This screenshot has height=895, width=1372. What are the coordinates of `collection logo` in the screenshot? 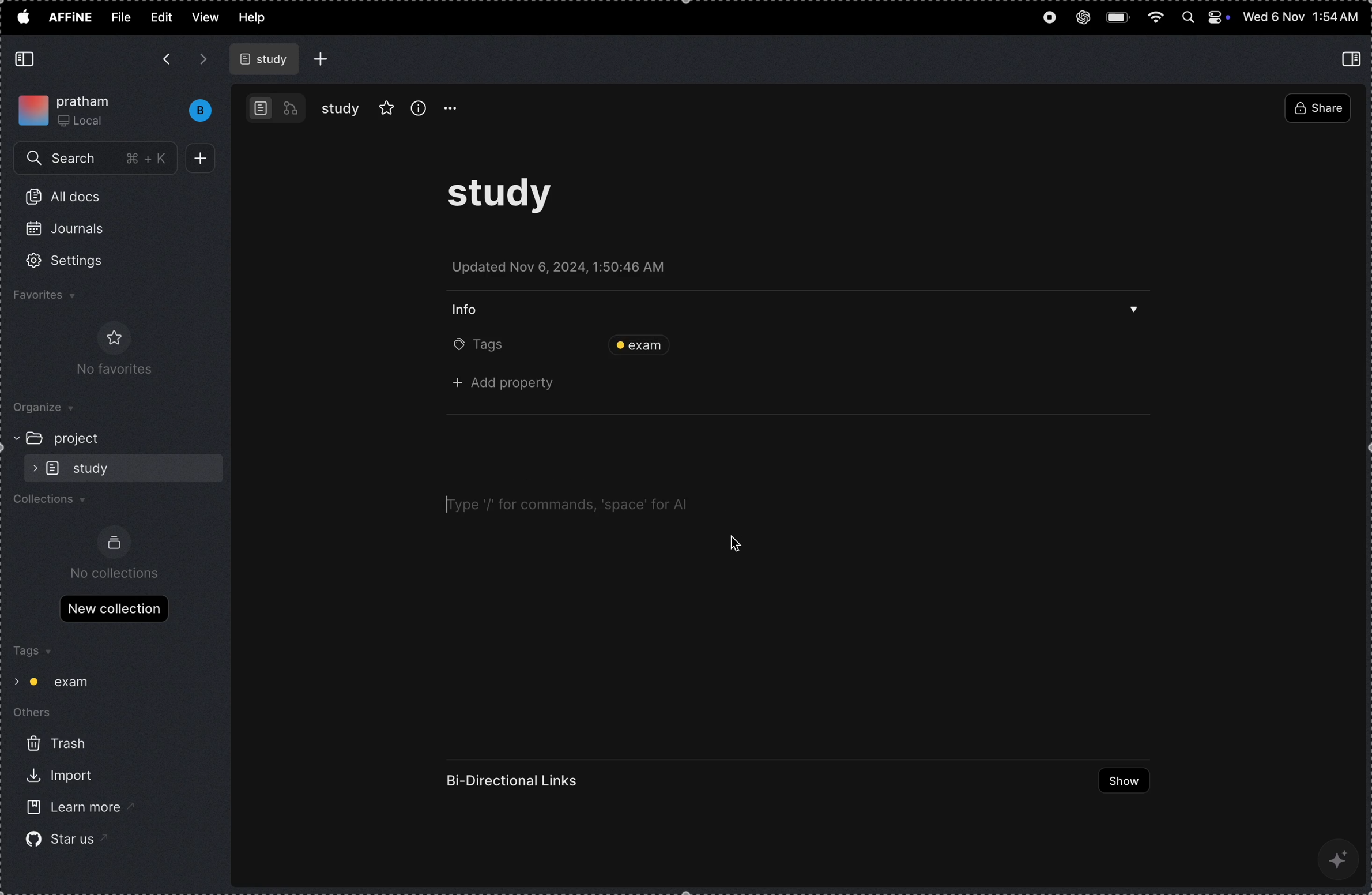 It's located at (114, 543).